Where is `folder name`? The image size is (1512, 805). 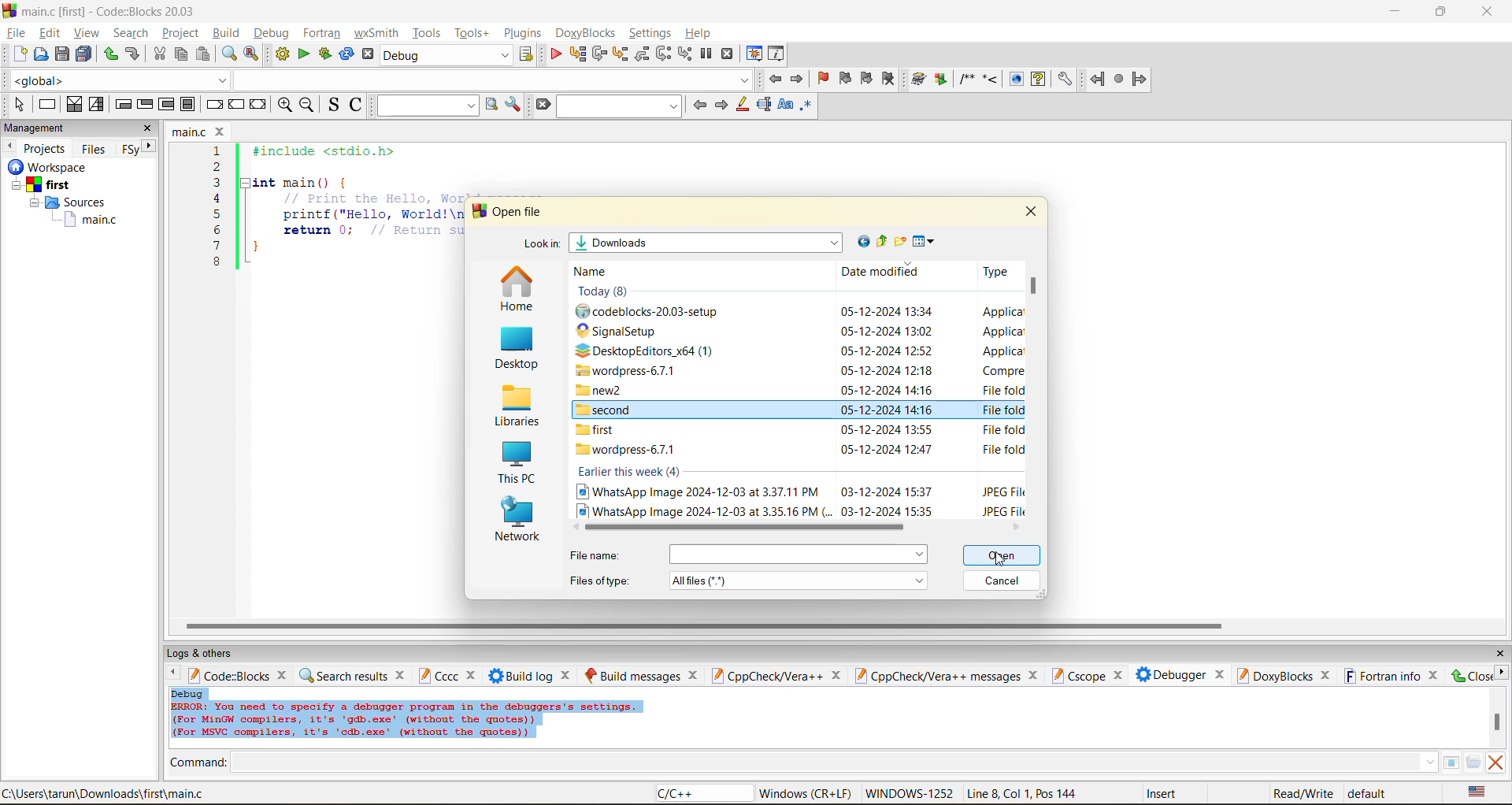
folder name is located at coordinates (708, 243).